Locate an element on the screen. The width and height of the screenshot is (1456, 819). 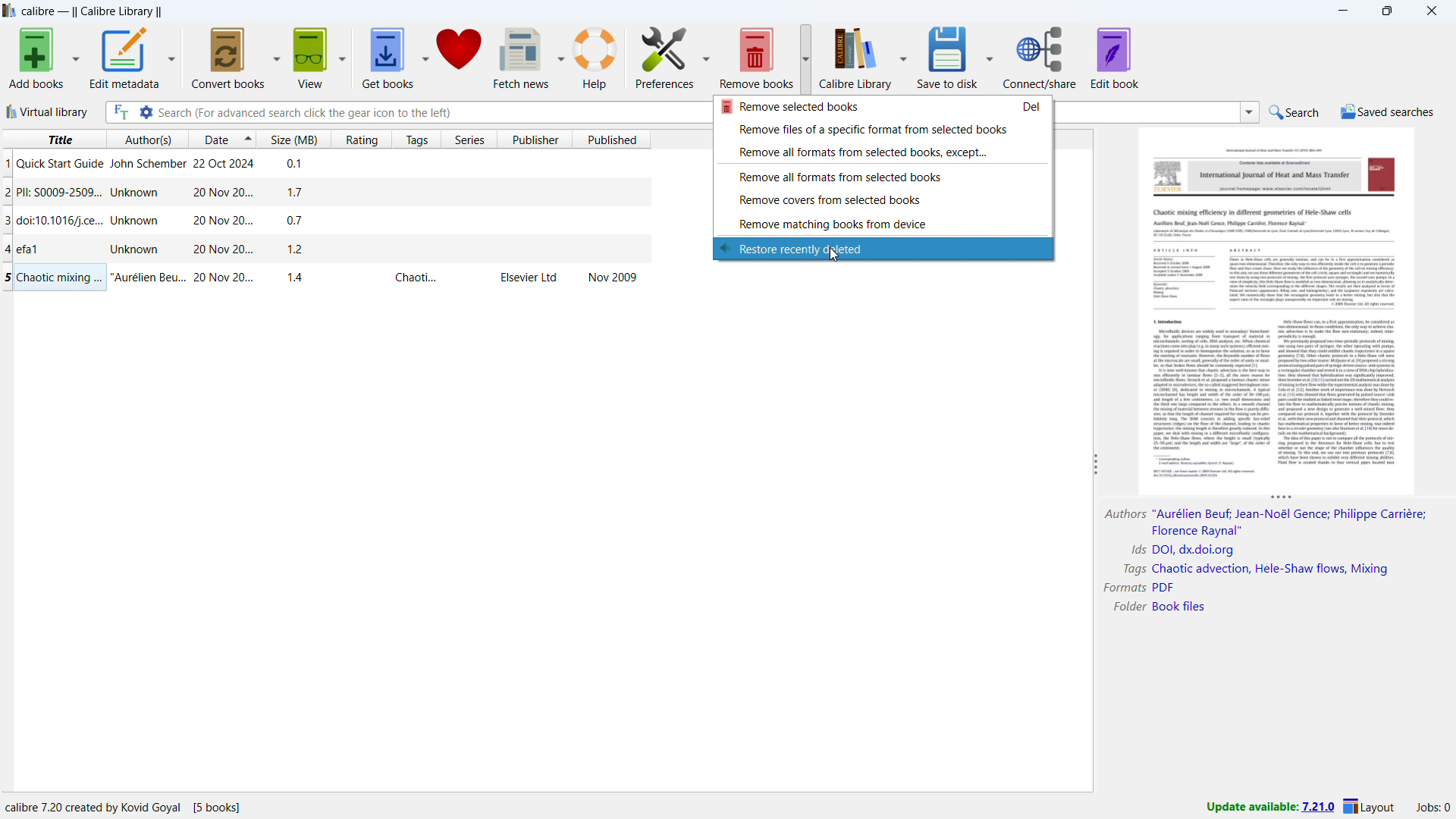
single book entry is located at coordinates (325, 249).